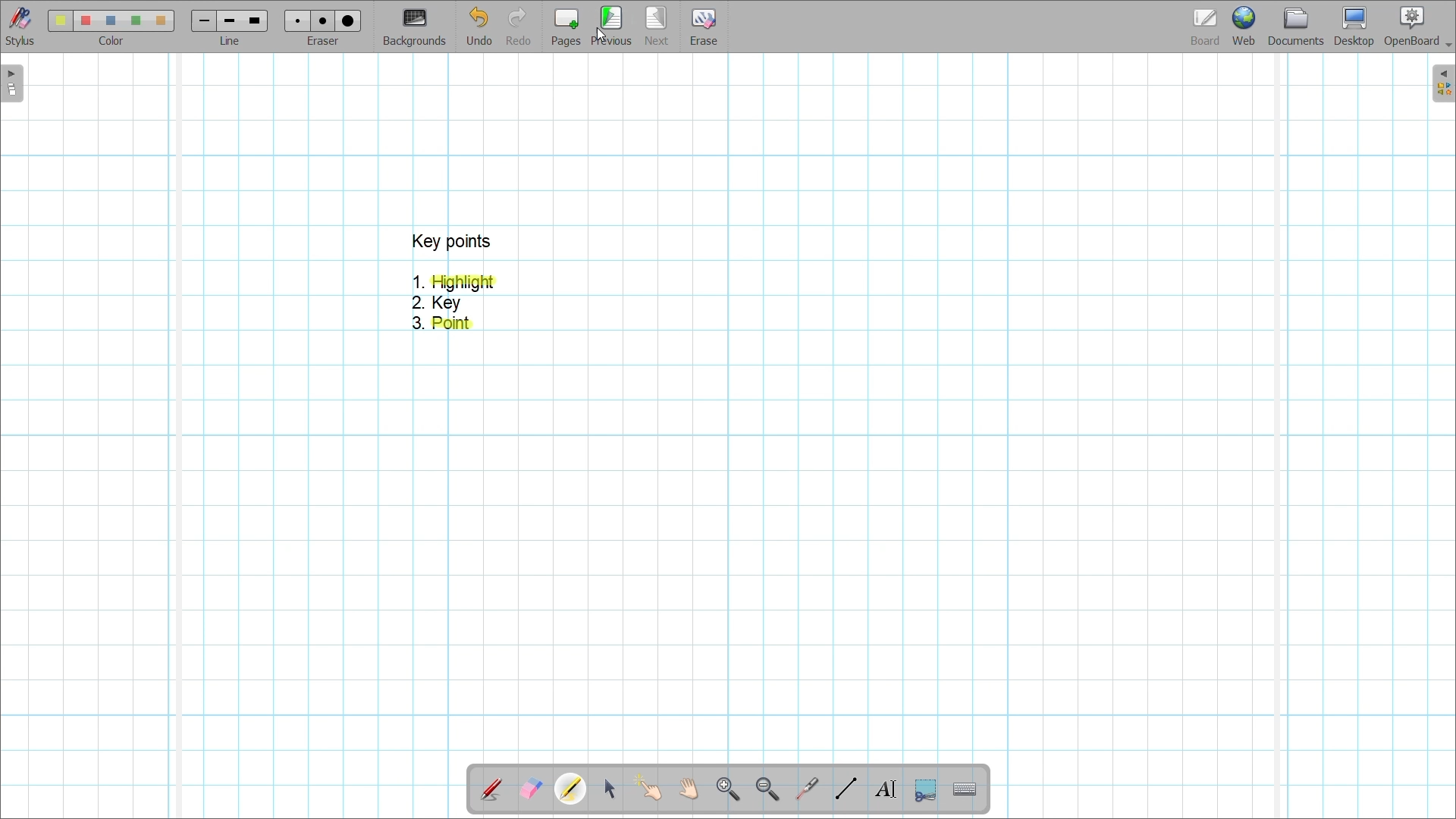 Image resolution: width=1456 pixels, height=819 pixels. I want to click on color 2, so click(85, 21).